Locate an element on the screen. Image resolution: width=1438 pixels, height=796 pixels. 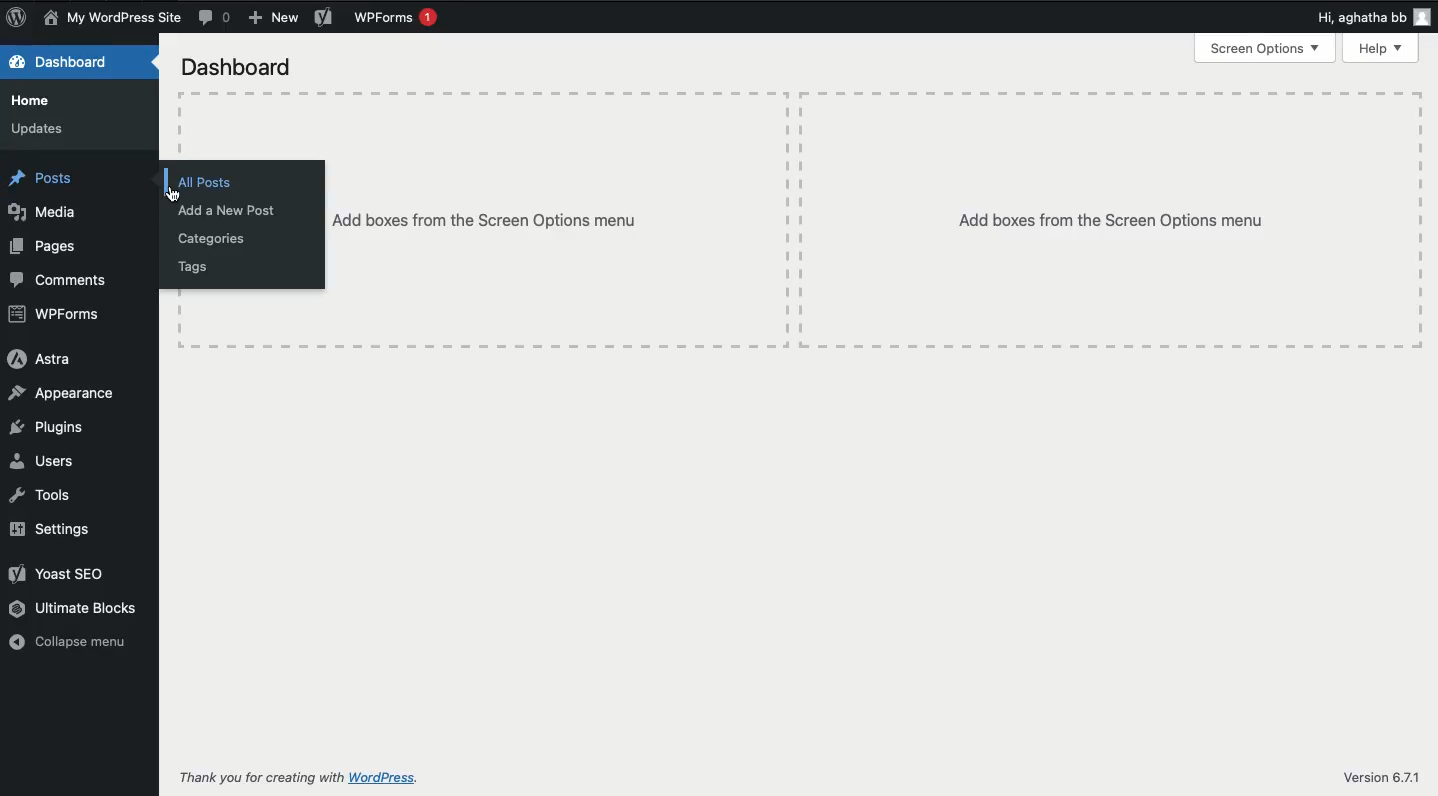
Yoast SEO is located at coordinates (59, 574).